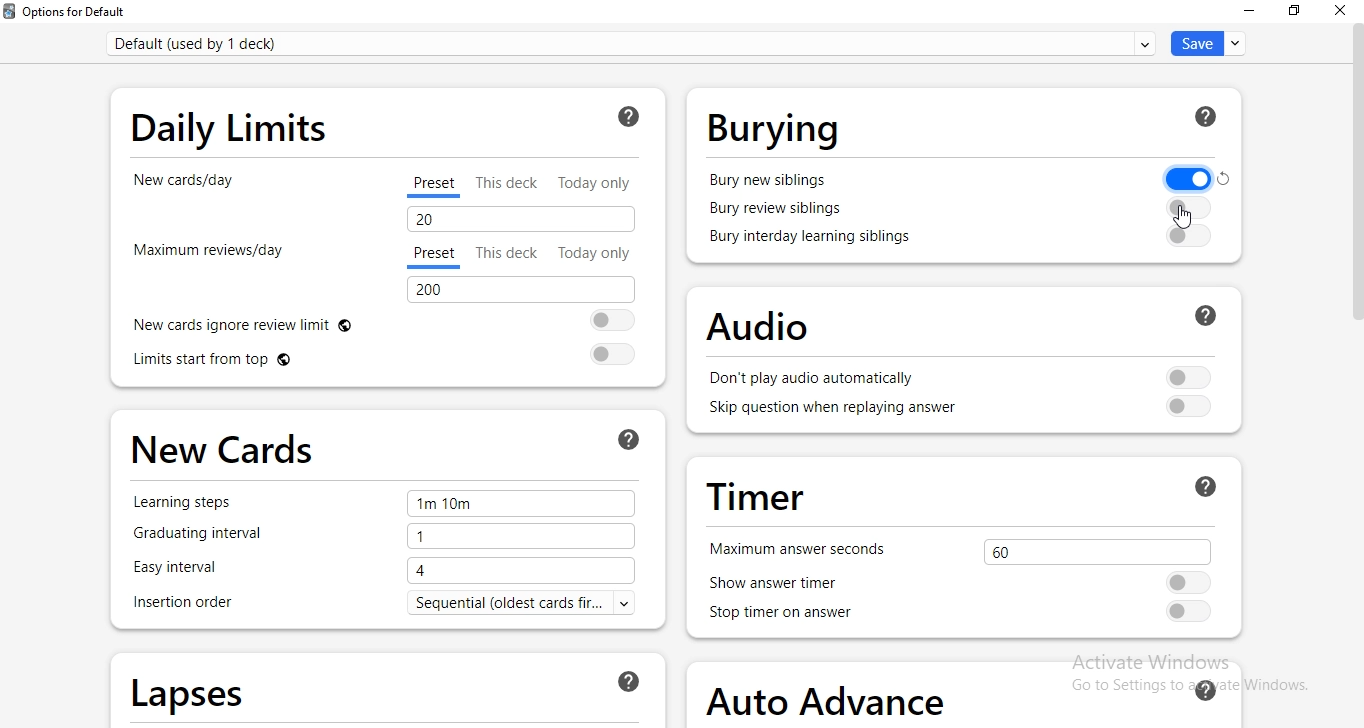 The image size is (1364, 728). Describe the element at coordinates (519, 219) in the screenshot. I see `20` at that location.